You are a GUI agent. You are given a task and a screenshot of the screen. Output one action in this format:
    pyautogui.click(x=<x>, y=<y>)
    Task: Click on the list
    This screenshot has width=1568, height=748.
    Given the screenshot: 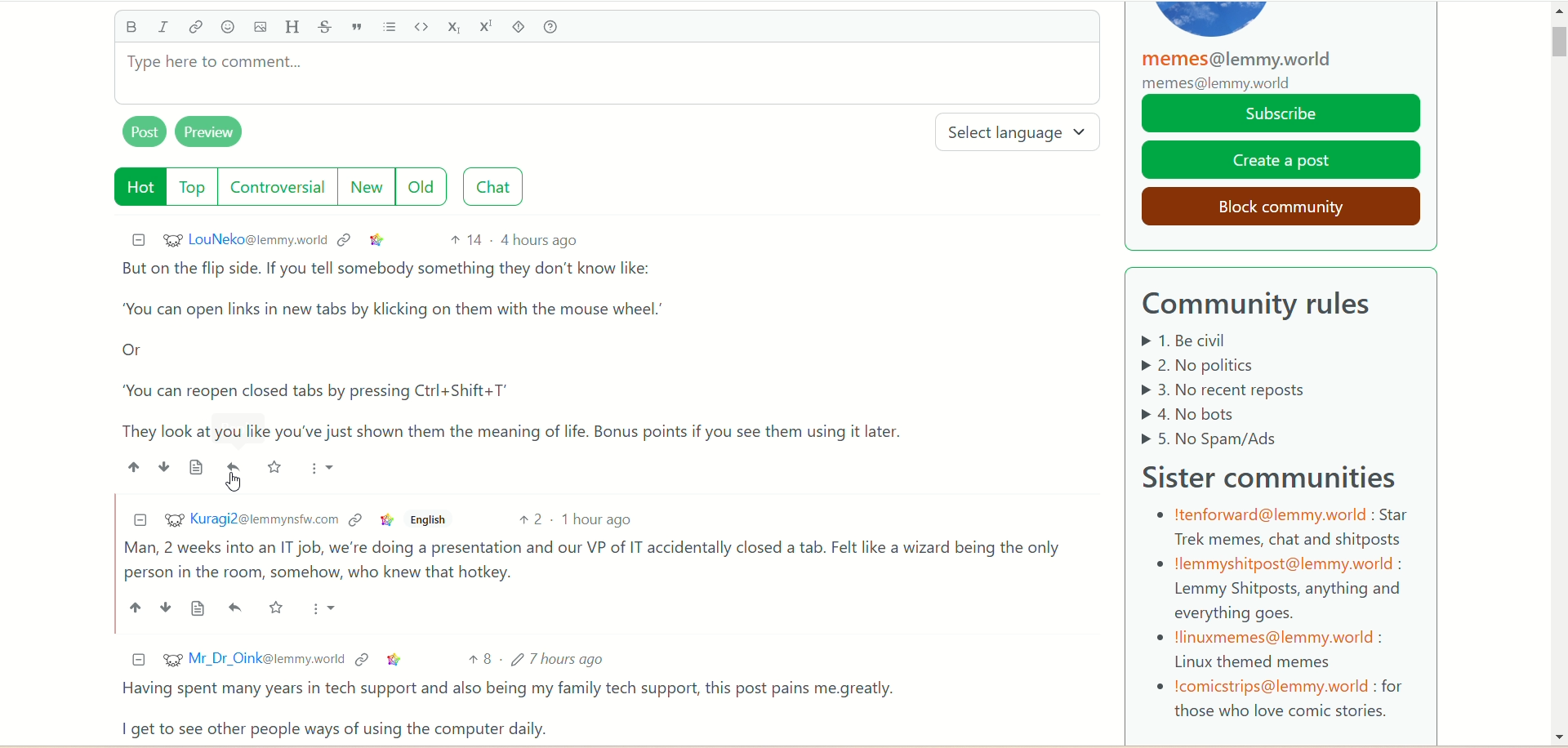 What is the action you would take?
    pyautogui.click(x=393, y=28)
    